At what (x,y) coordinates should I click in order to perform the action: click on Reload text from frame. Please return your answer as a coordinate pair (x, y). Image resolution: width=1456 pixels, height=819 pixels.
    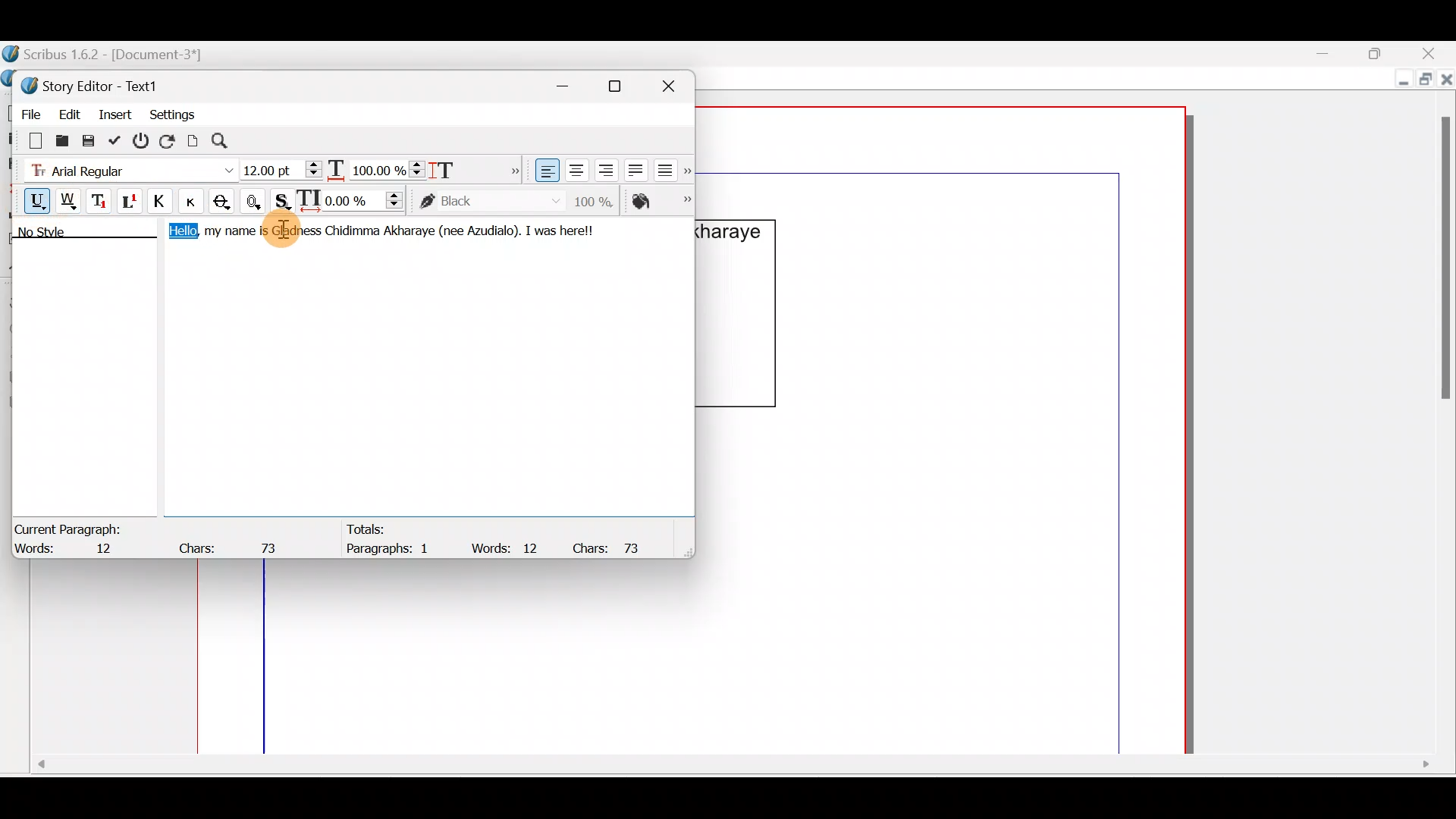
    Looking at the image, I should click on (169, 140).